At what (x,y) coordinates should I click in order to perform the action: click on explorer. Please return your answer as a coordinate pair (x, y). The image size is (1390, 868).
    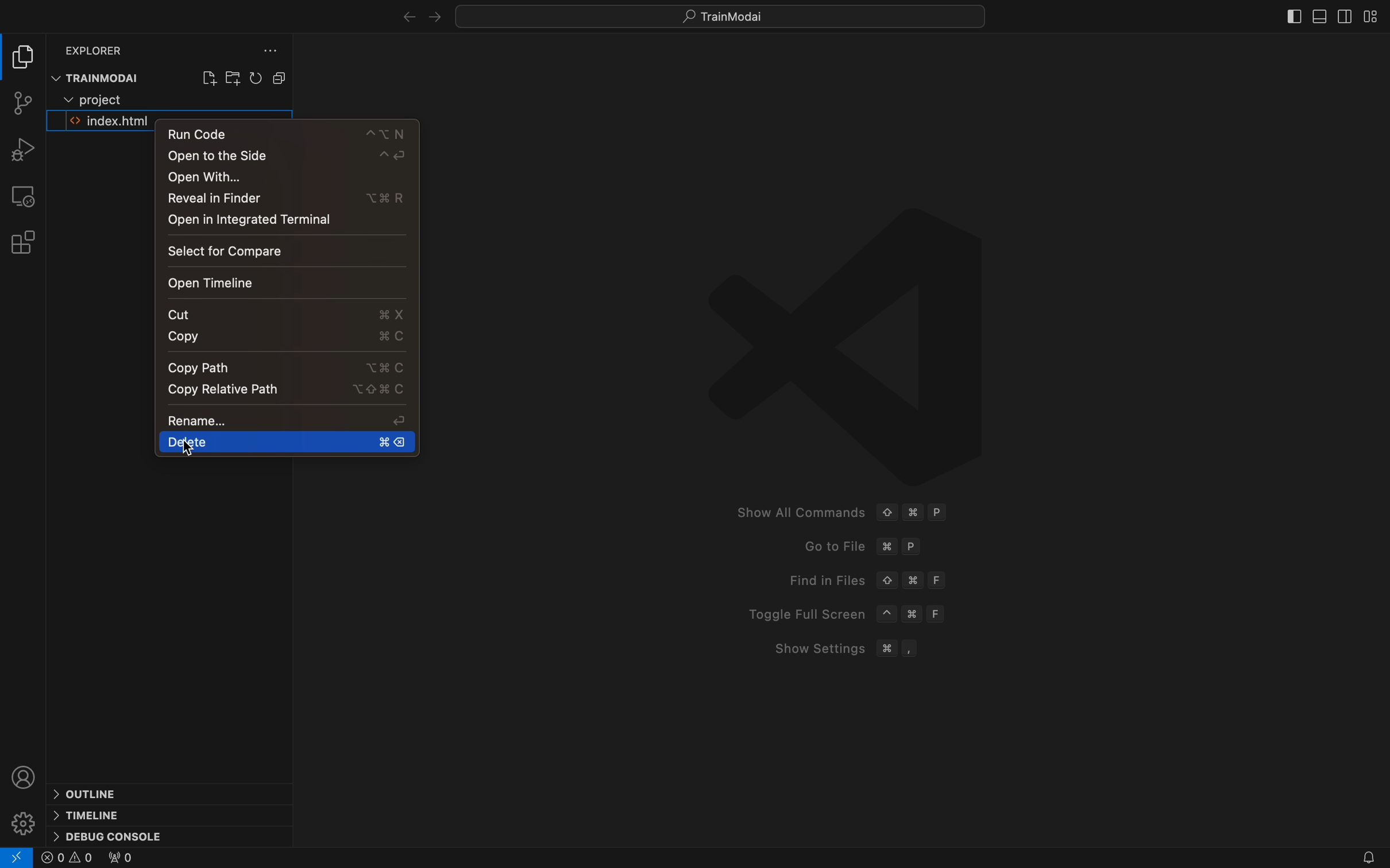
    Looking at the image, I should click on (98, 48).